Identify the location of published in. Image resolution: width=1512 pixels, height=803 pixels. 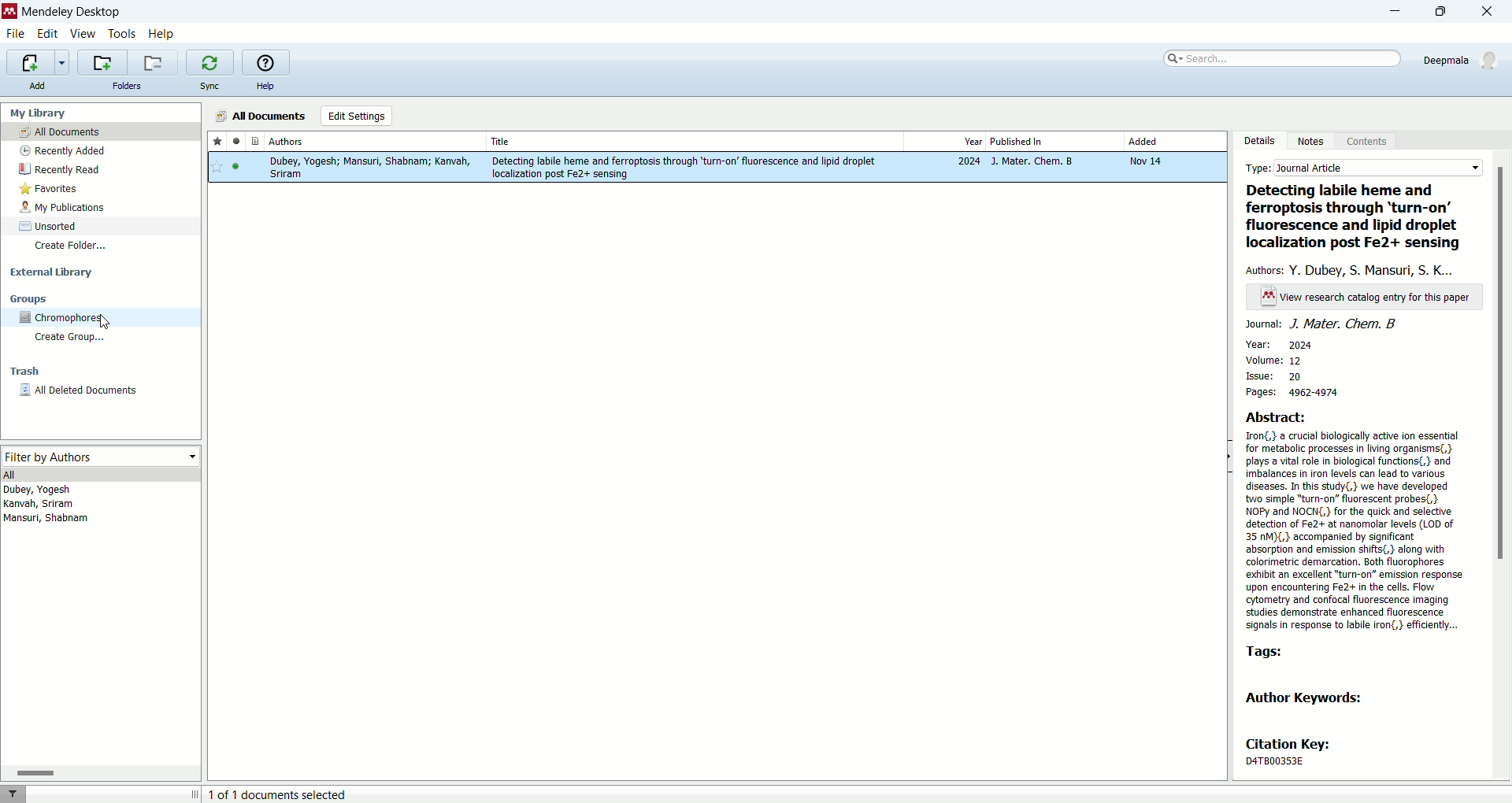
(1053, 142).